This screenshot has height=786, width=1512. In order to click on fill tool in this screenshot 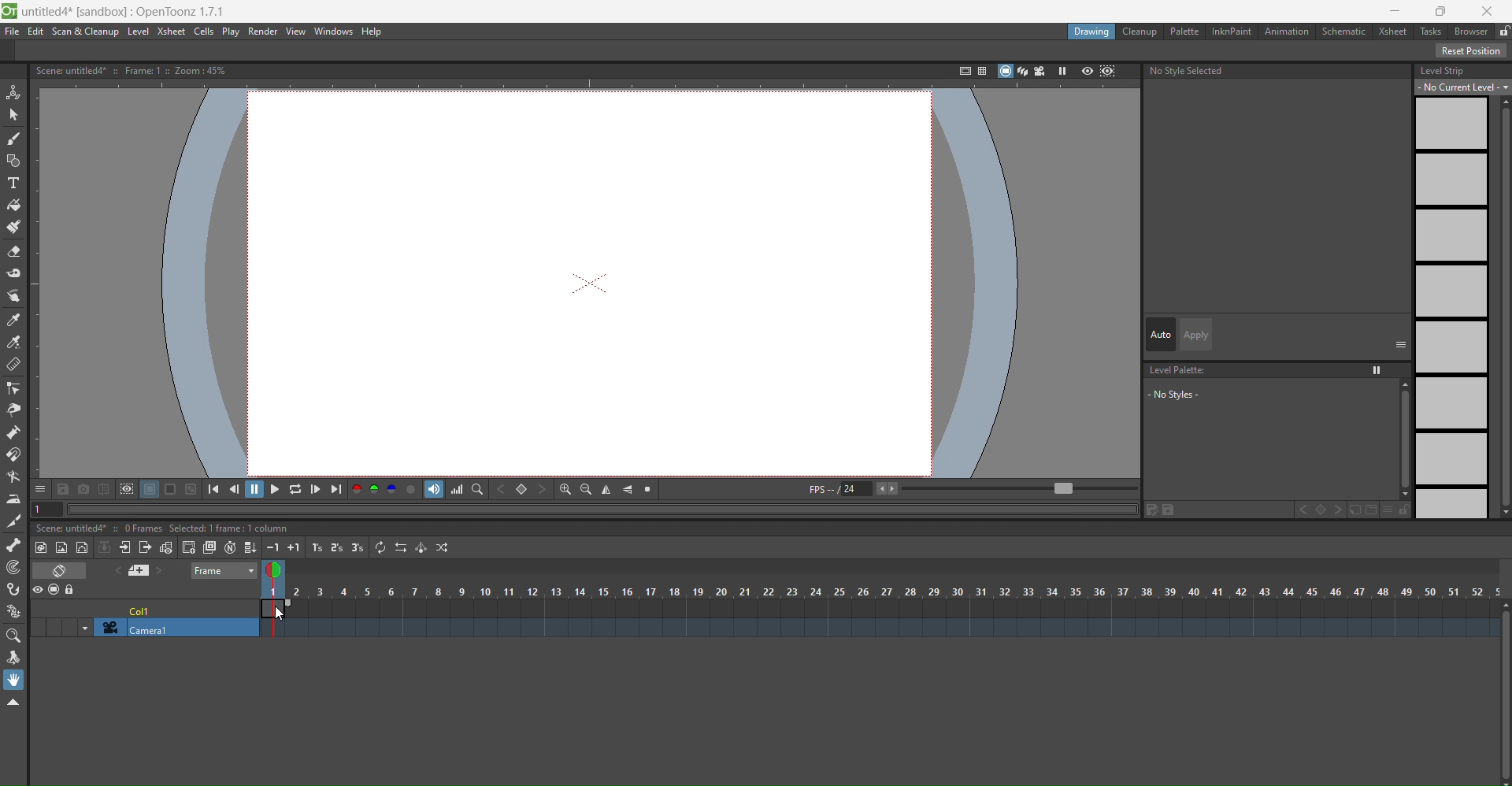, I will do `click(14, 206)`.